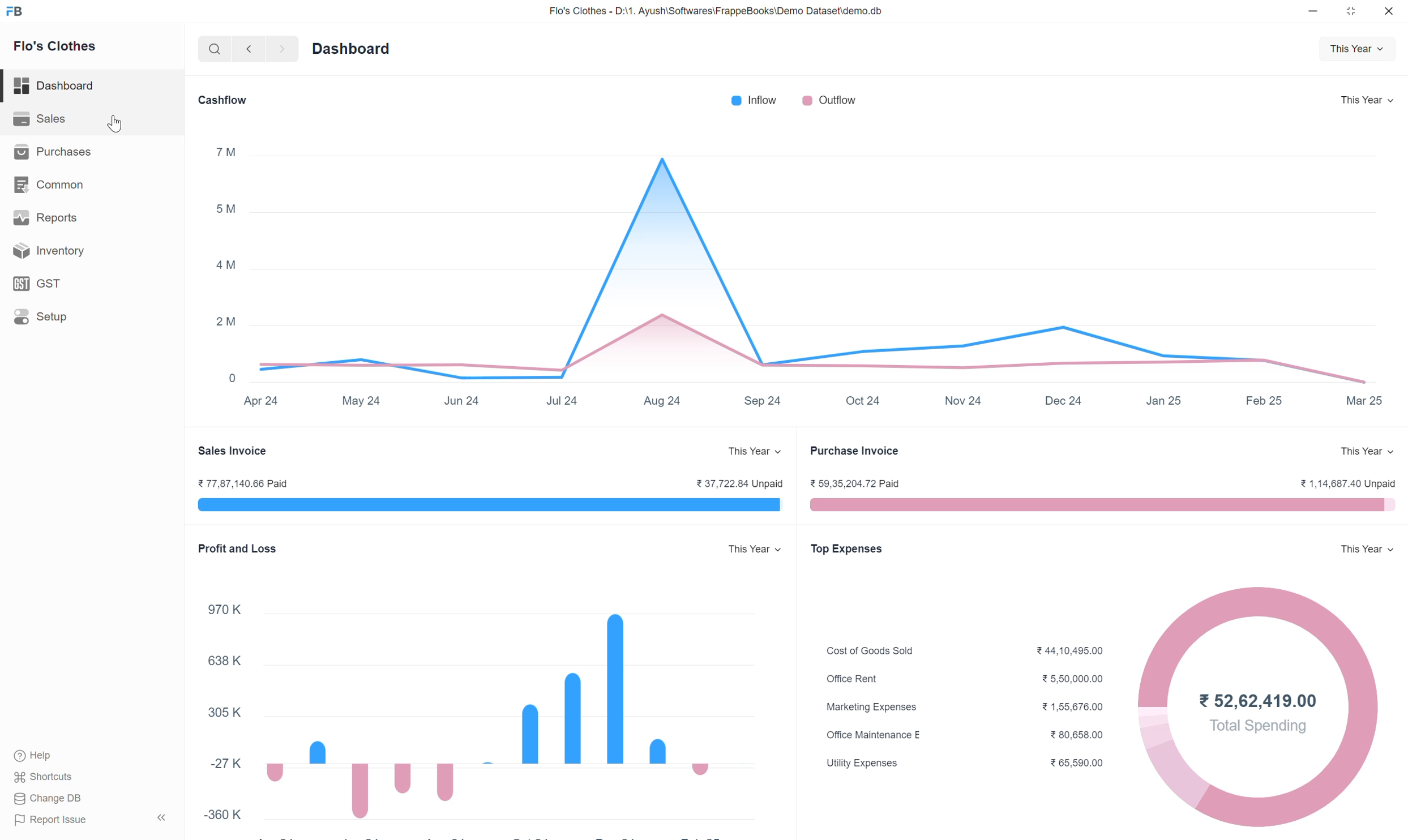 The image size is (1408, 840). I want to click on search, so click(215, 49).